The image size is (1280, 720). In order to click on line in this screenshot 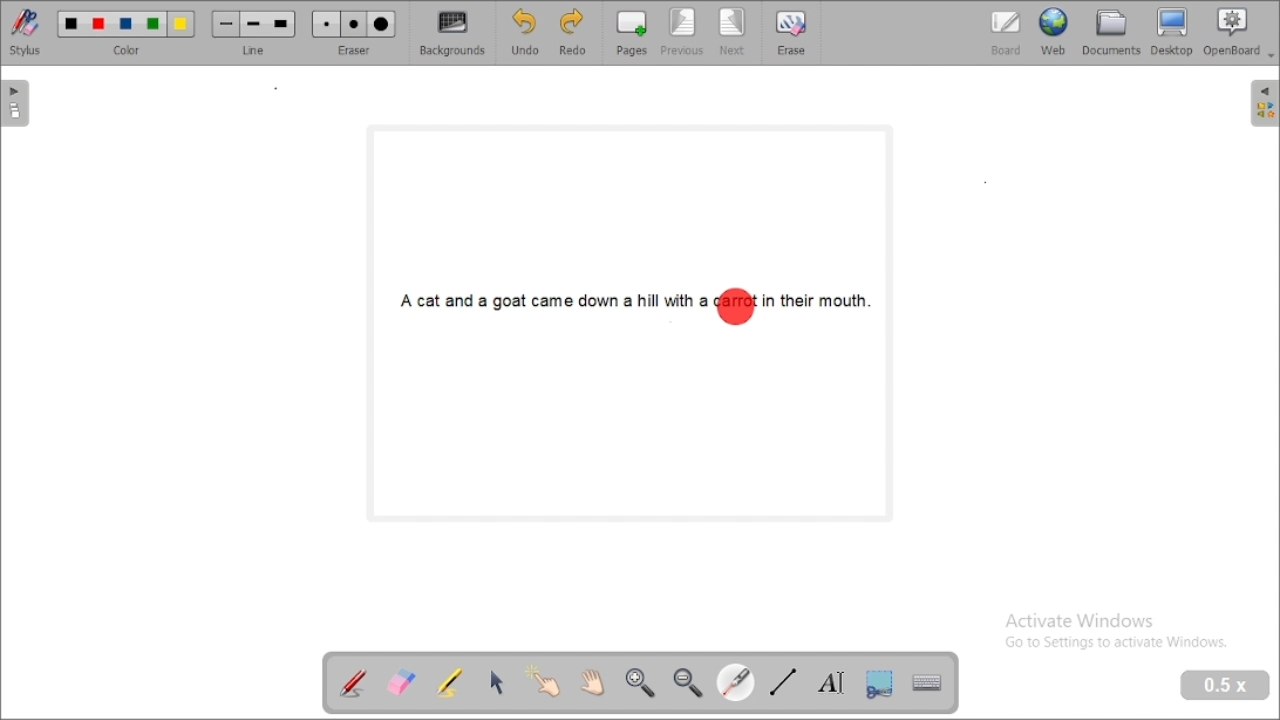, I will do `click(253, 34)`.